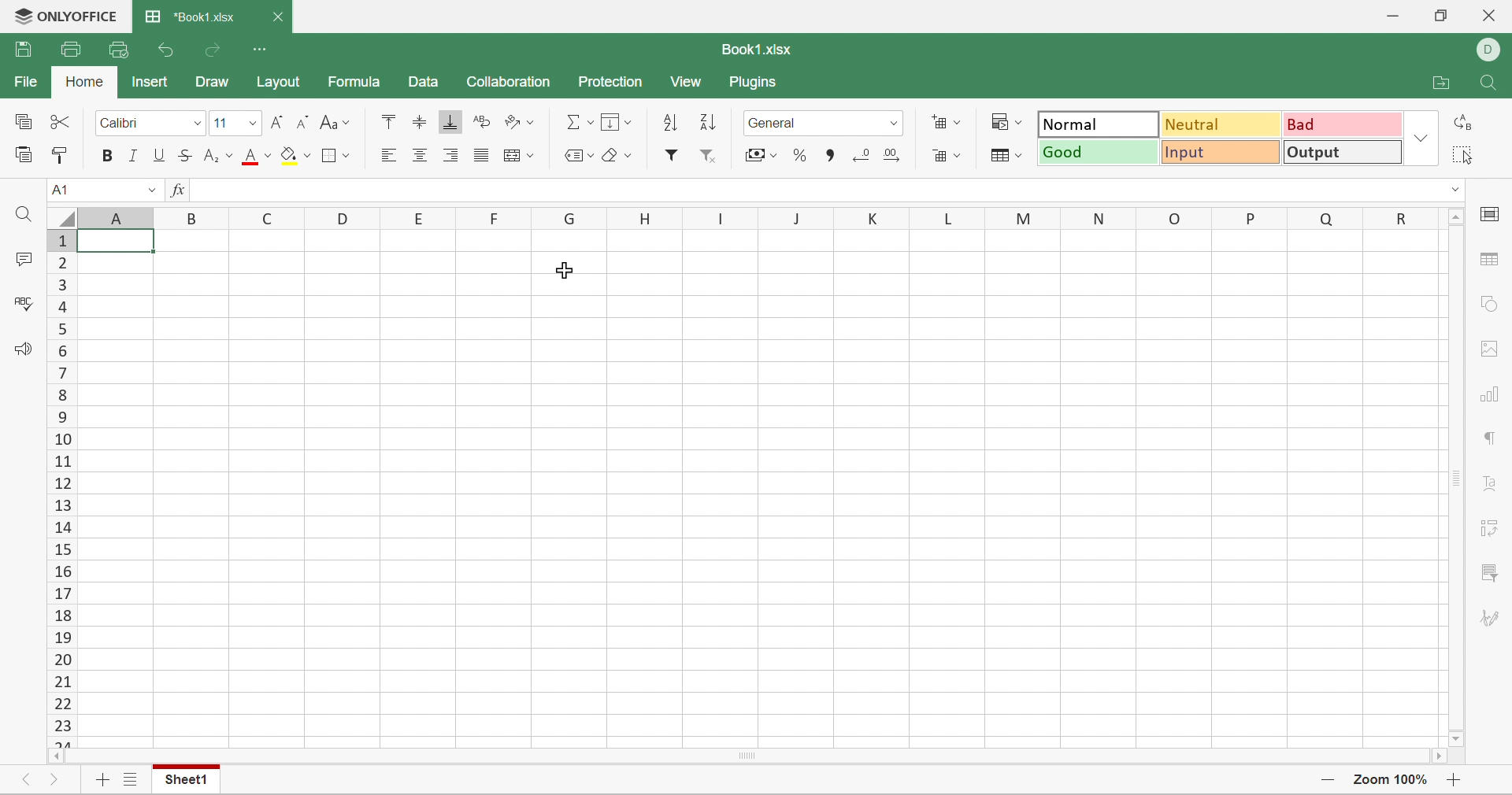  I want to click on Fill color, so click(295, 156).